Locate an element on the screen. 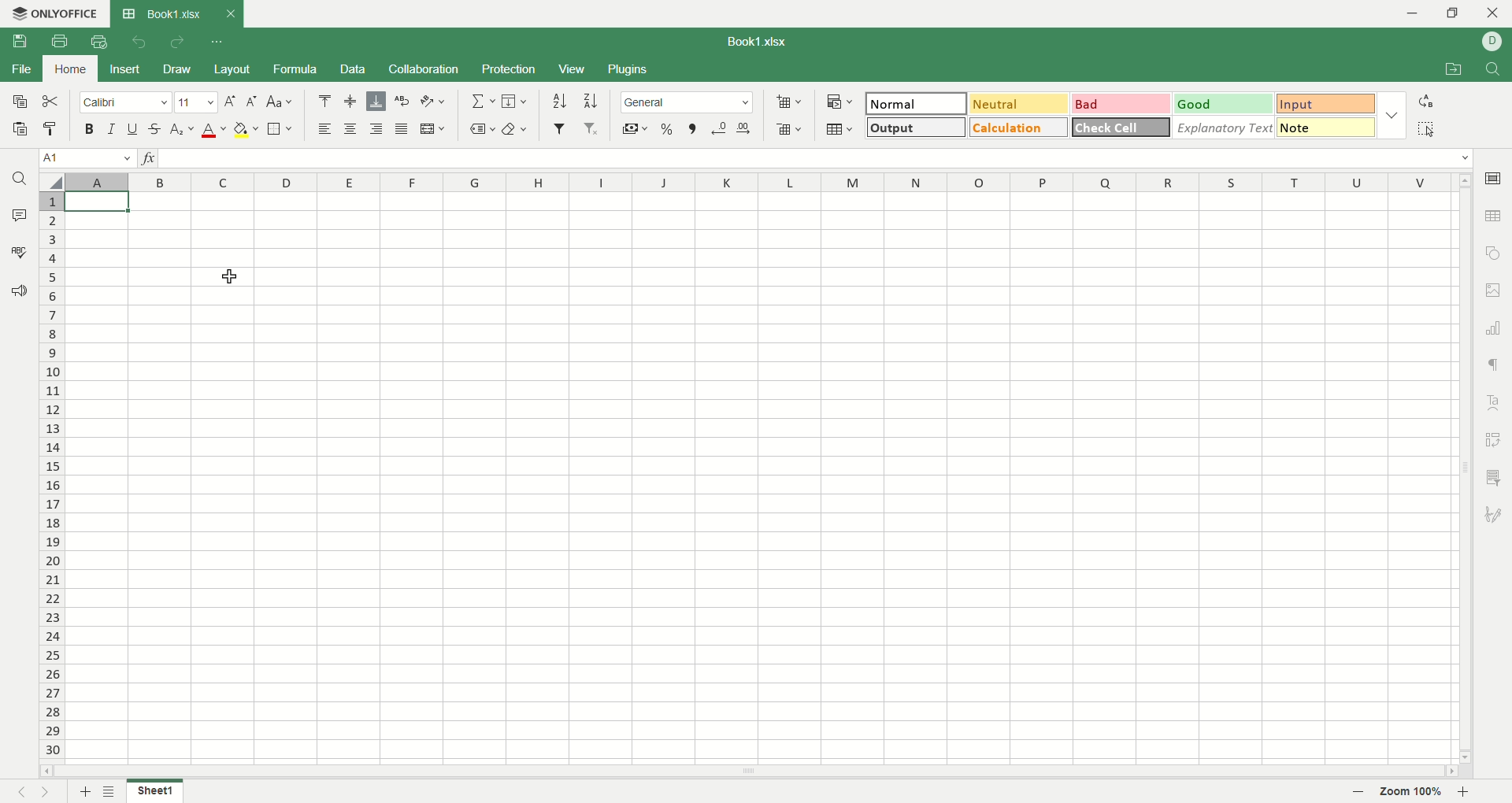 The height and width of the screenshot is (803, 1512). next sheet is located at coordinates (50, 792).